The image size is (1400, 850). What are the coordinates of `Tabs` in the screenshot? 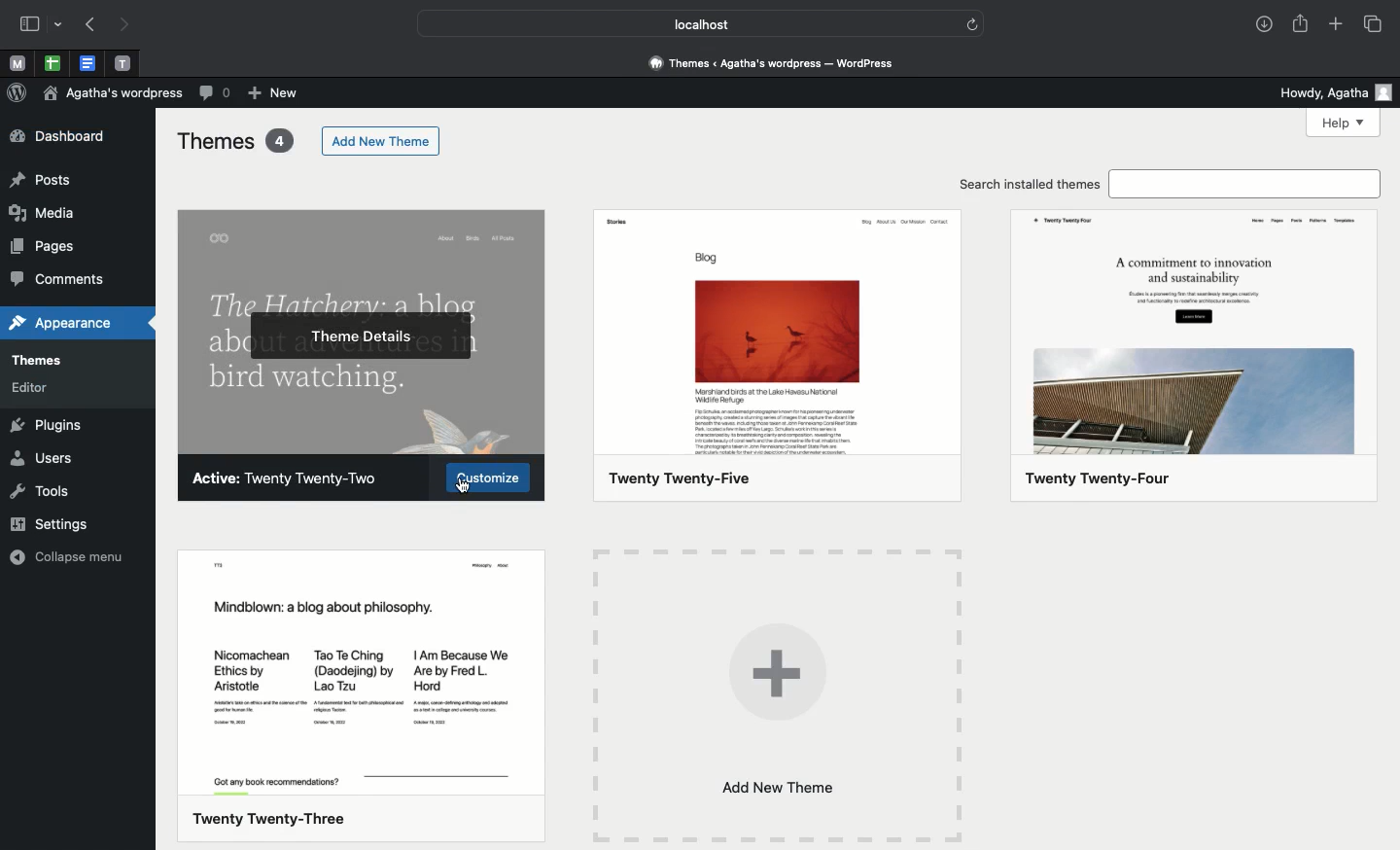 It's located at (1375, 24).